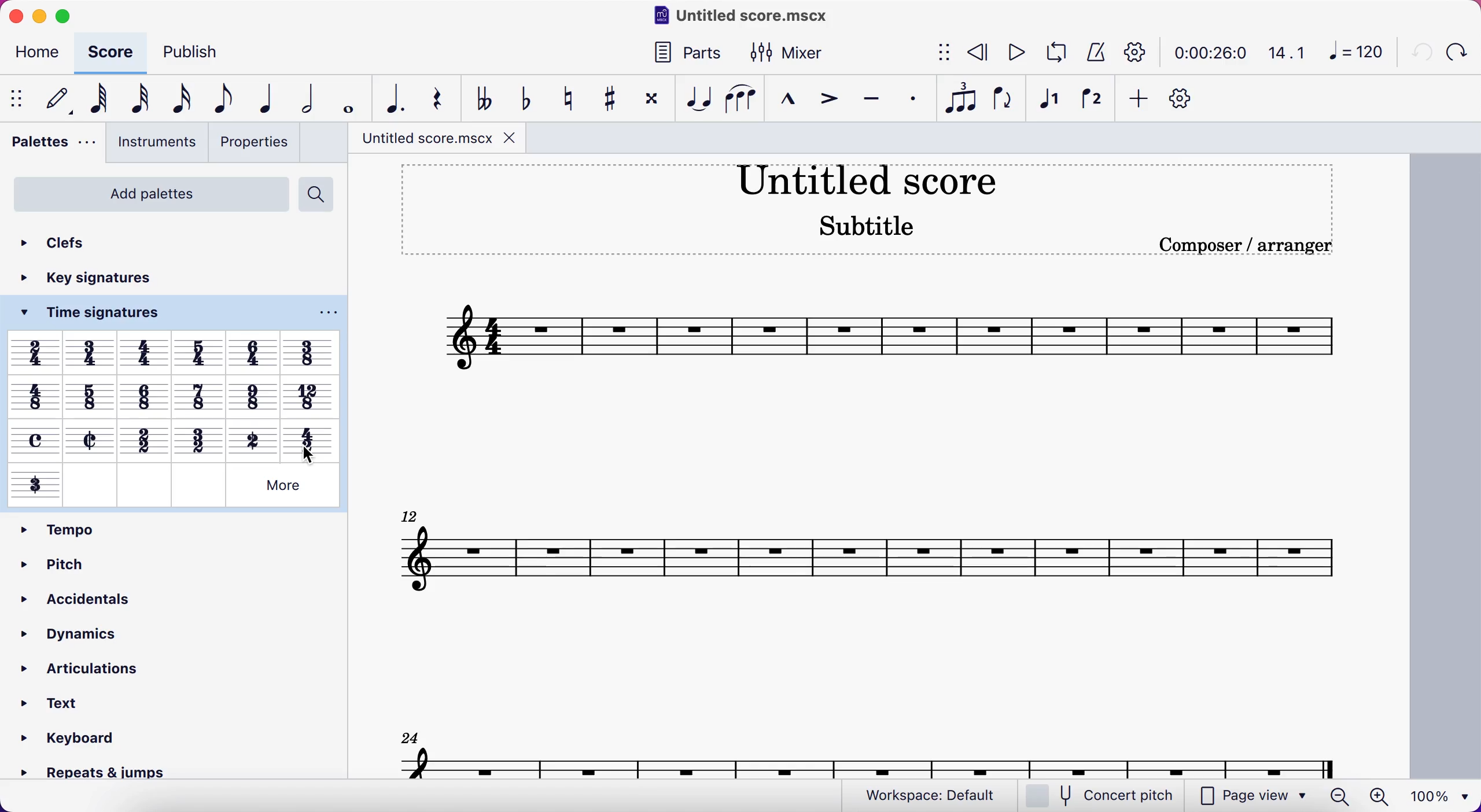  Describe the element at coordinates (922, 793) in the screenshot. I see `workspace: default` at that location.